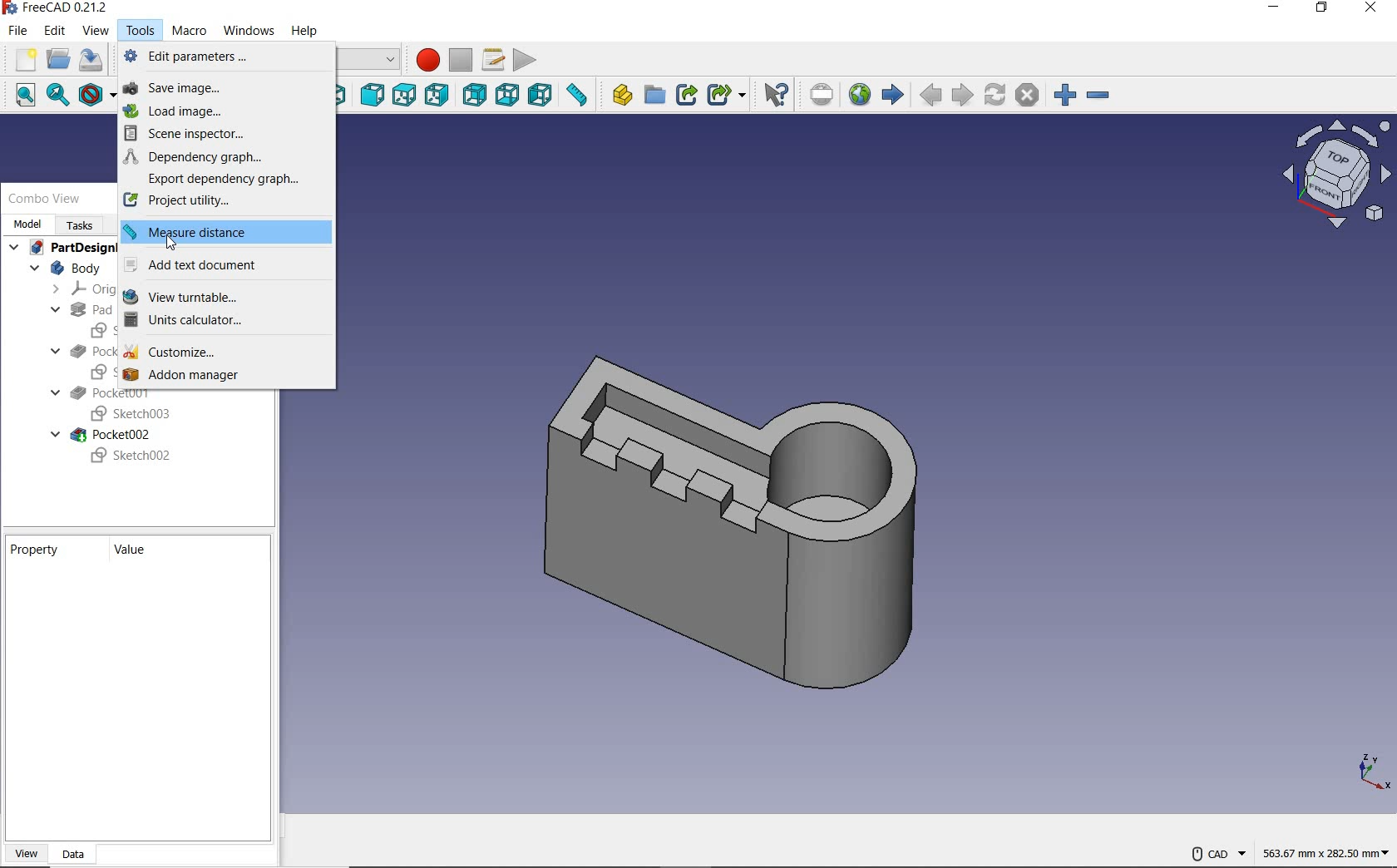 This screenshot has height=868, width=1397. Describe the element at coordinates (506, 97) in the screenshot. I see `bottom` at that location.